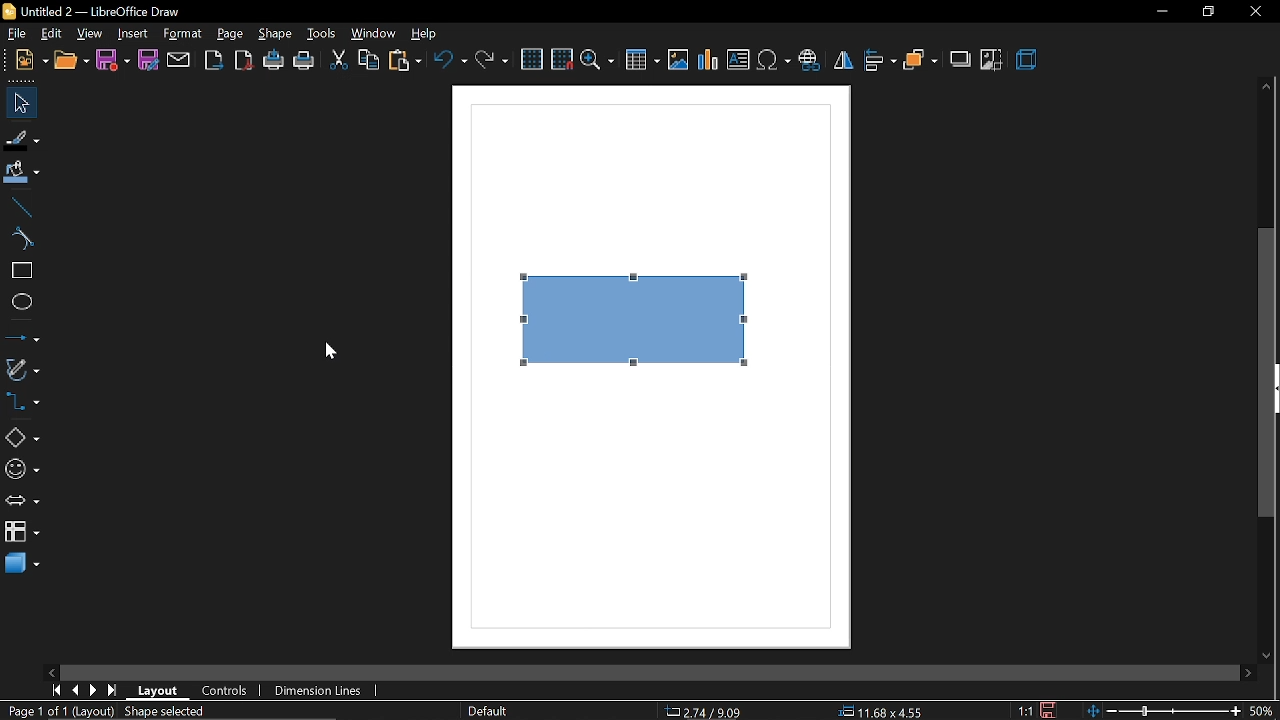  I want to click on lines and arrows, so click(22, 336).